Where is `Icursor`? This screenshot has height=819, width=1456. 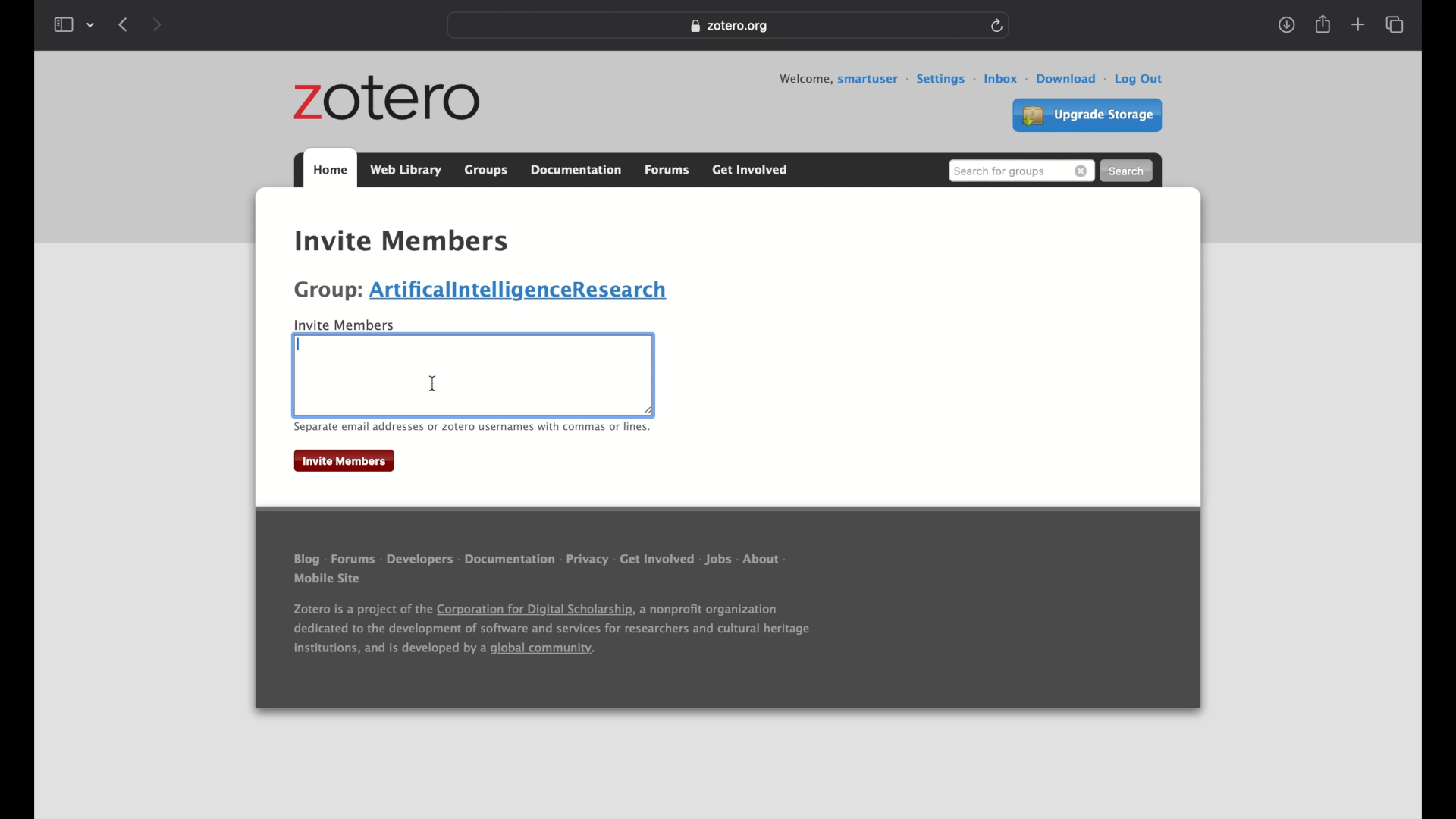 Icursor is located at coordinates (438, 384).